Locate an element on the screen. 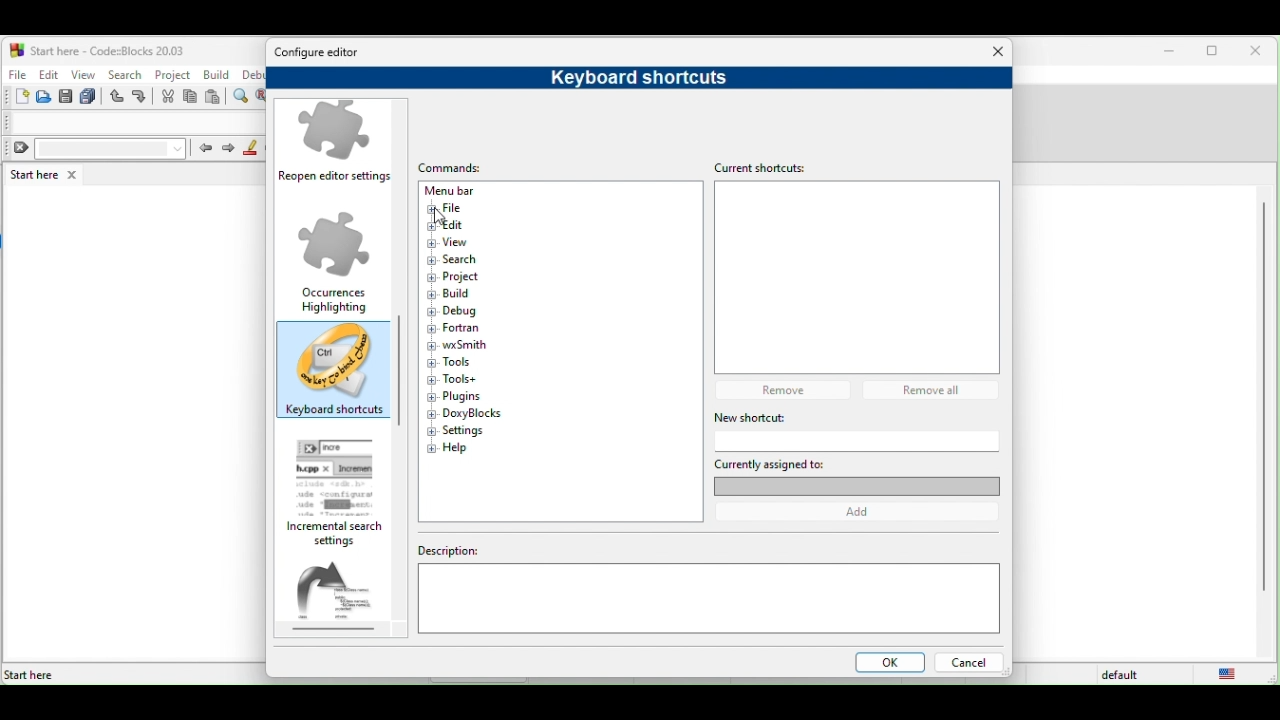  open is located at coordinates (45, 97).